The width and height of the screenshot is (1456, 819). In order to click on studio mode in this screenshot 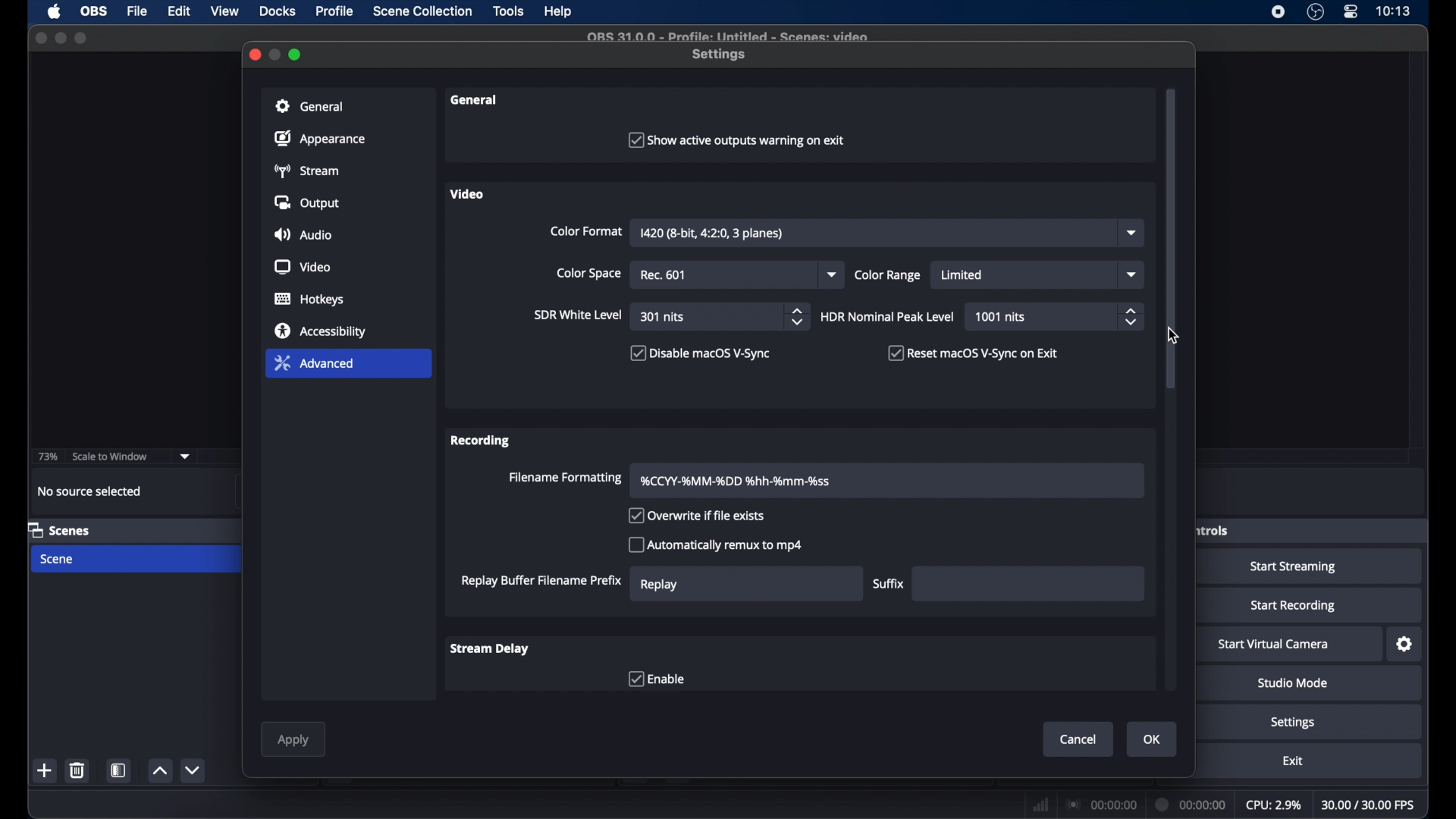, I will do `click(1293, 684)`.